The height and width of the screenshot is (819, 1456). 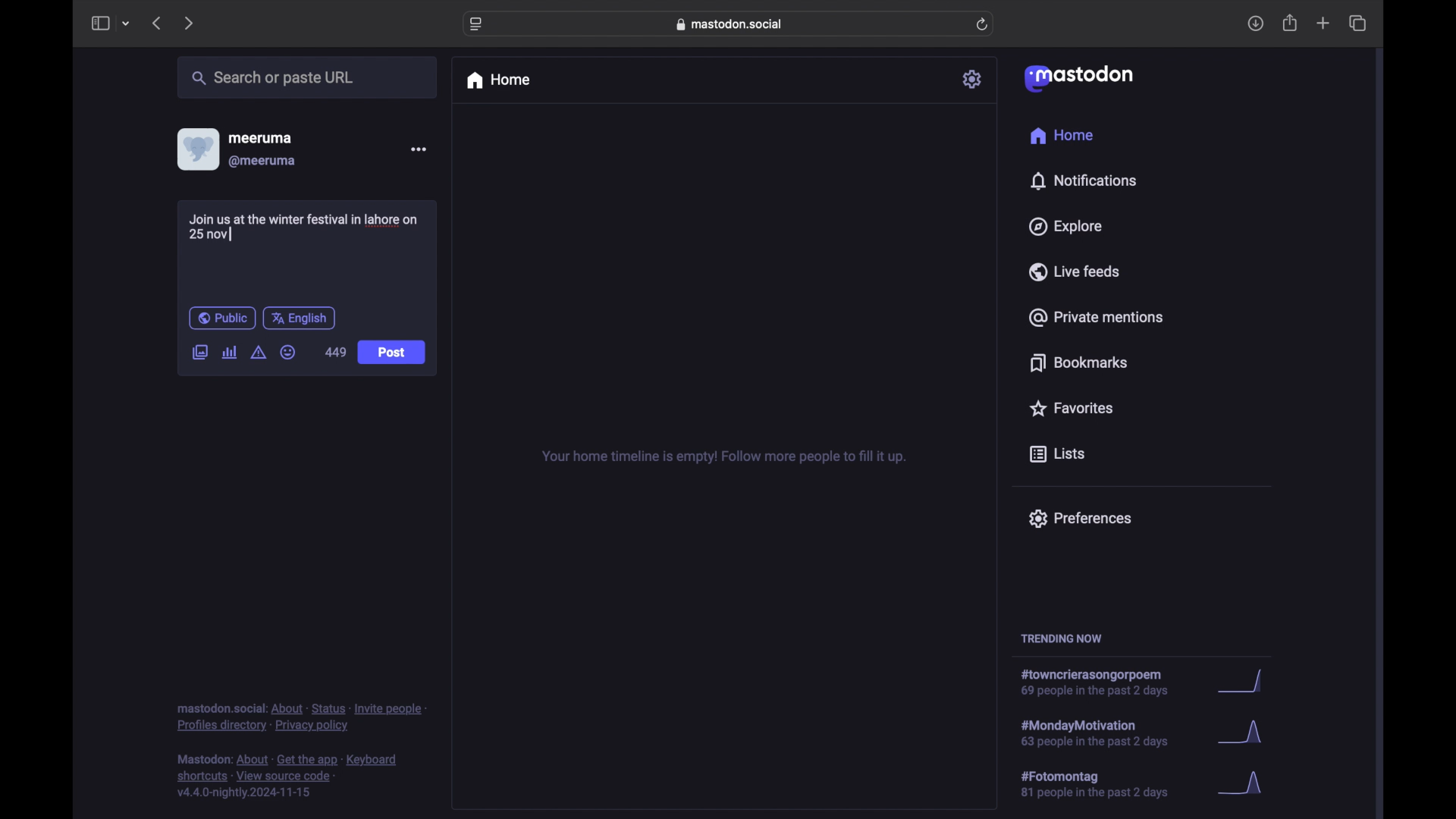 I want to click on meeruma, so click(x=260, y=137).